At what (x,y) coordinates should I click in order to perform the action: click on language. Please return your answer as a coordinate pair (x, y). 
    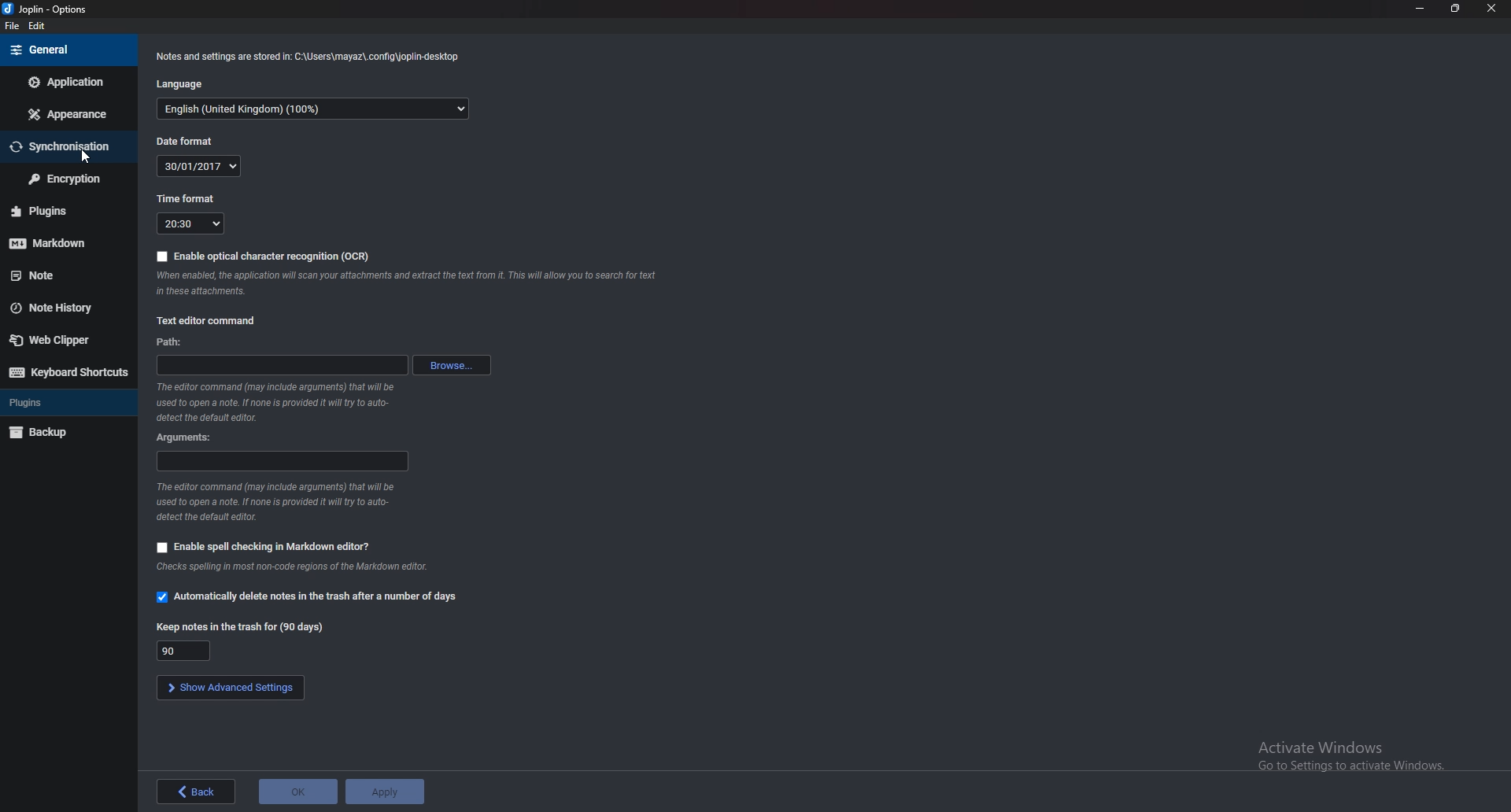
    Looking at the image, I should click on (315, 108).